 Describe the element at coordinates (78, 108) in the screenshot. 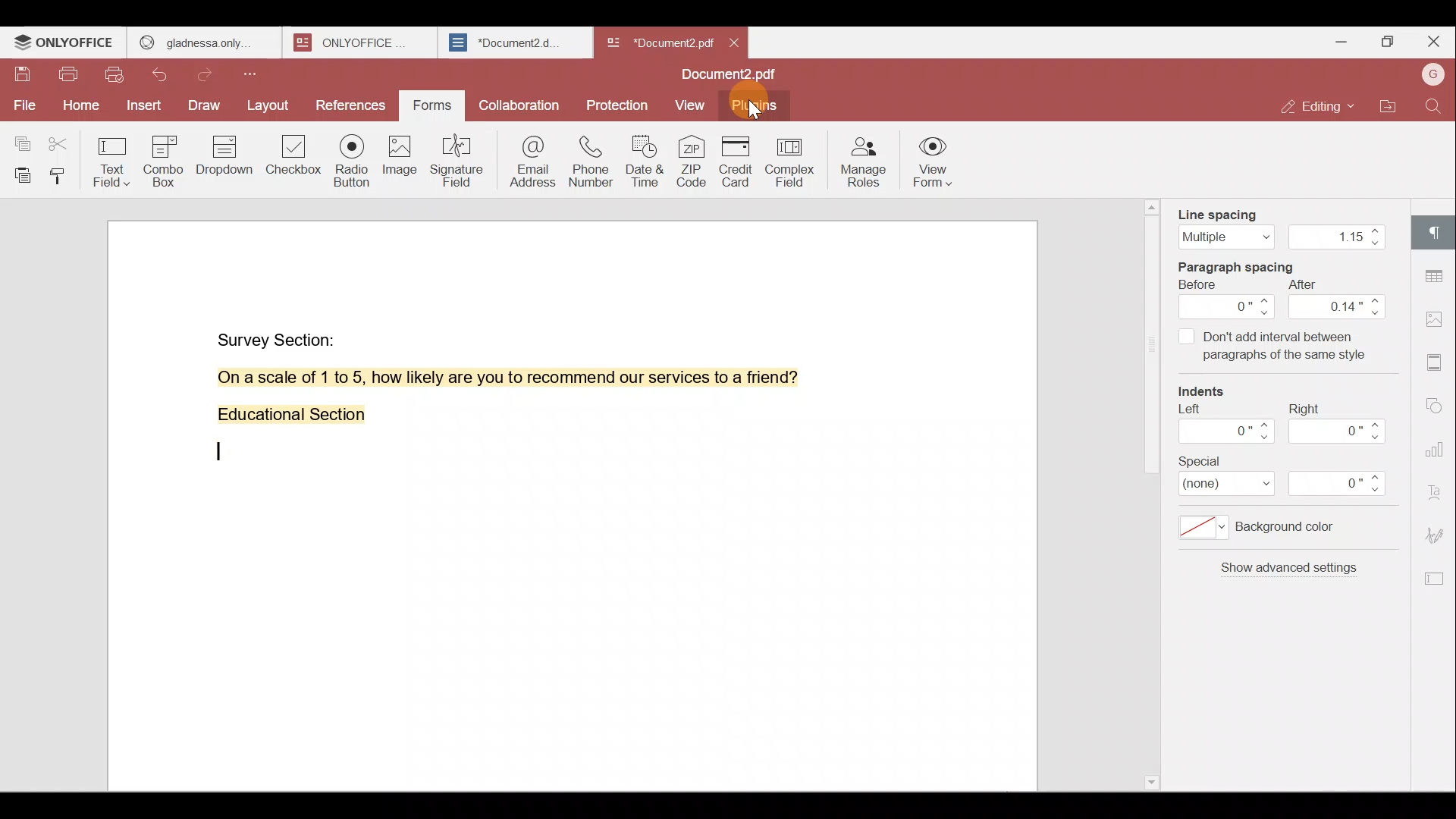

I see `Home` at that location.